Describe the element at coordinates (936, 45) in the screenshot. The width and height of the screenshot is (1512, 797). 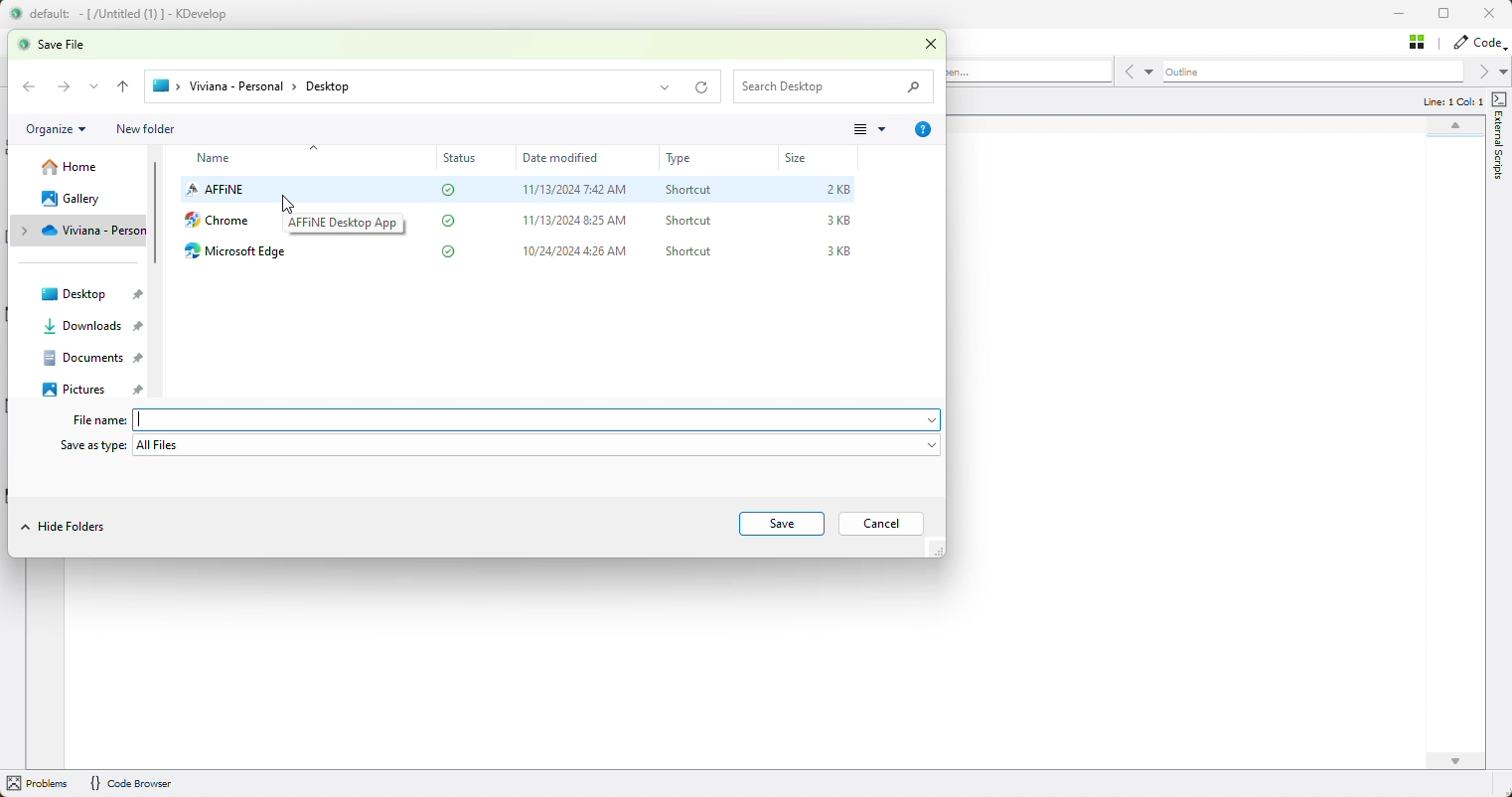
I see `close` at that location.